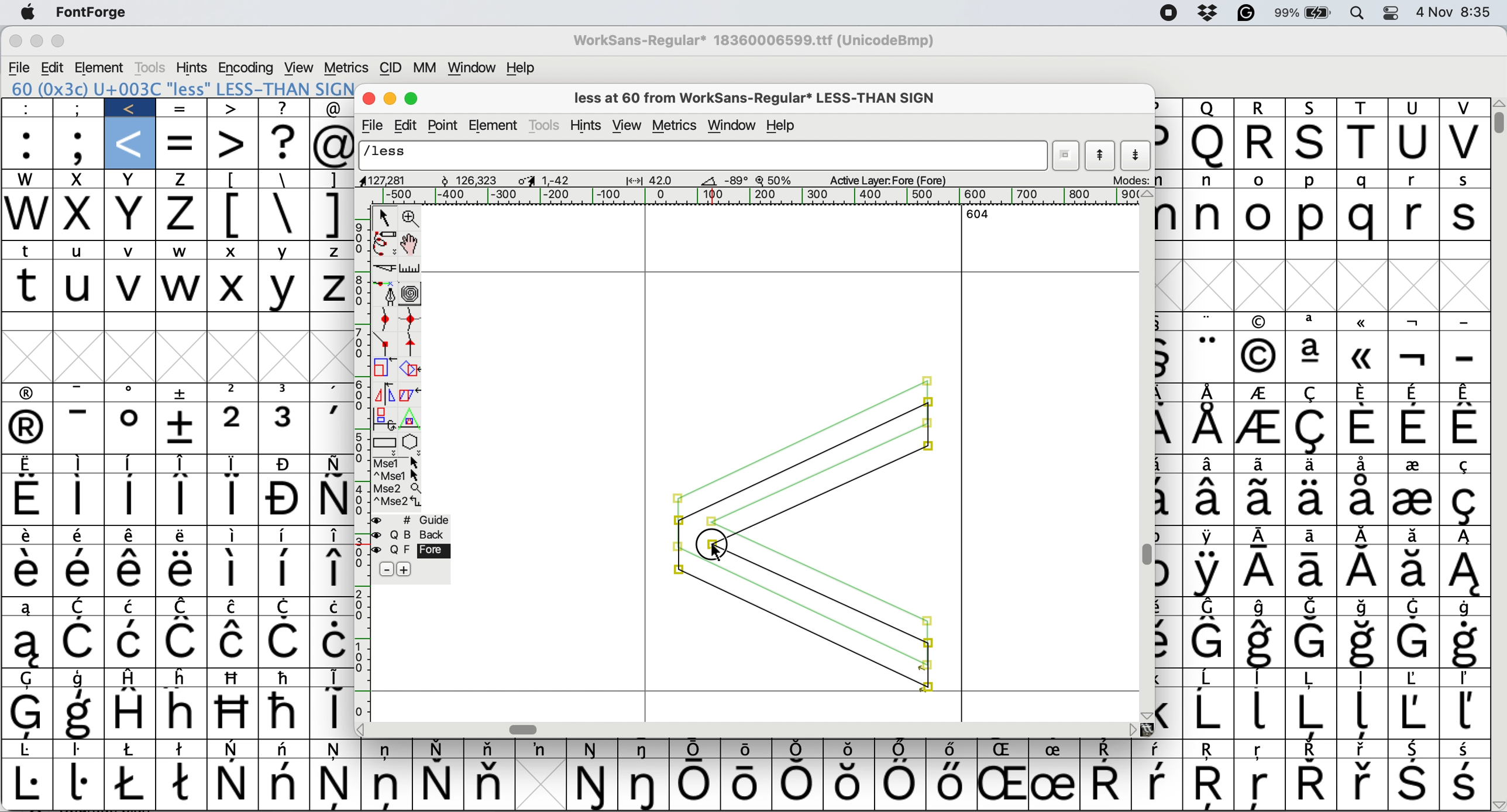 Image resolution: width=1507 pixels, height=812 pixels. What do you see at coordinates (549, 179) in the screenshot?
I see `glyph dimensions` at bounding box center [549, 179].